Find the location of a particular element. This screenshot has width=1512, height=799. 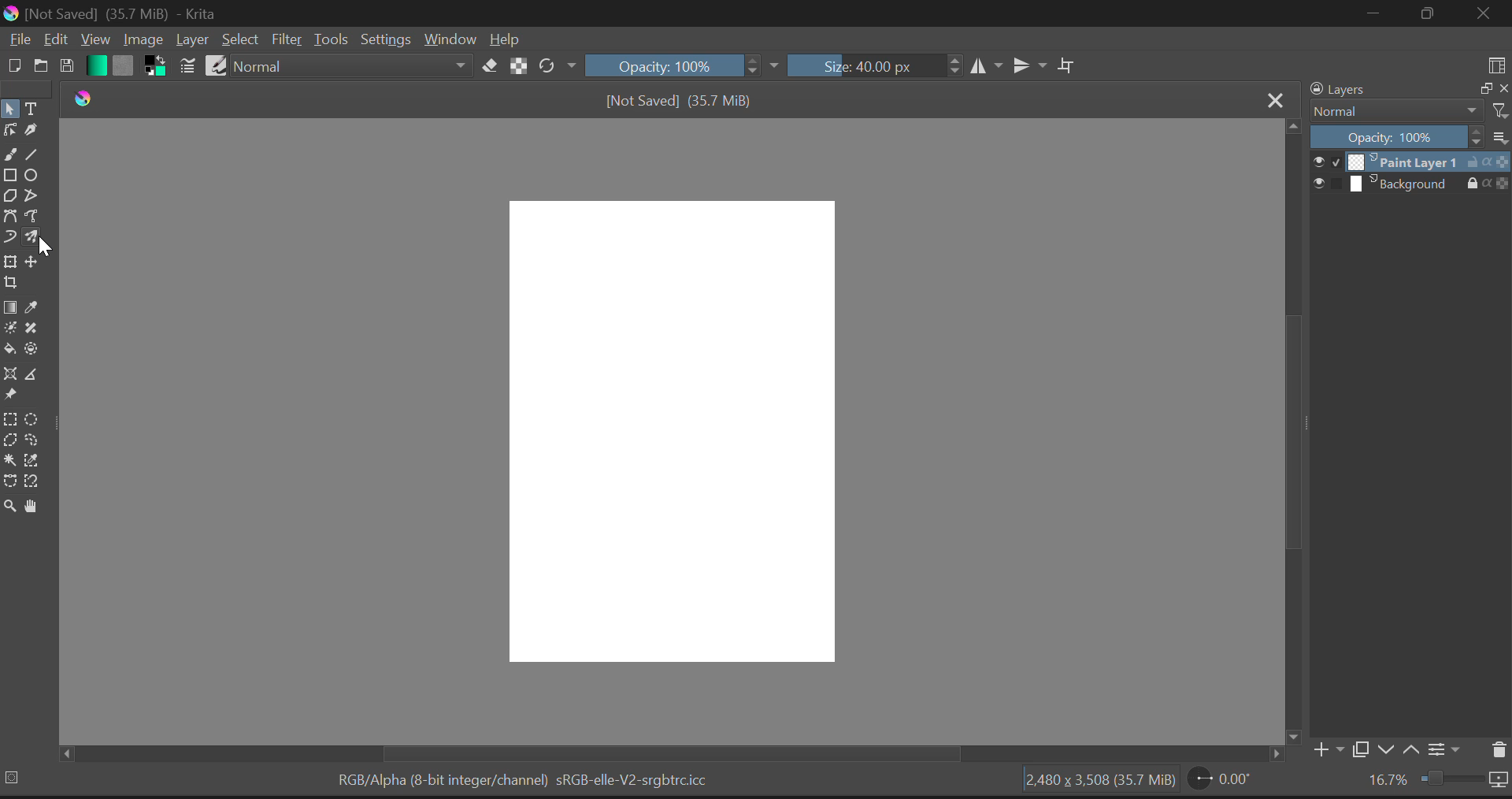

Copy Layer is located at coordinates (1362, 749).